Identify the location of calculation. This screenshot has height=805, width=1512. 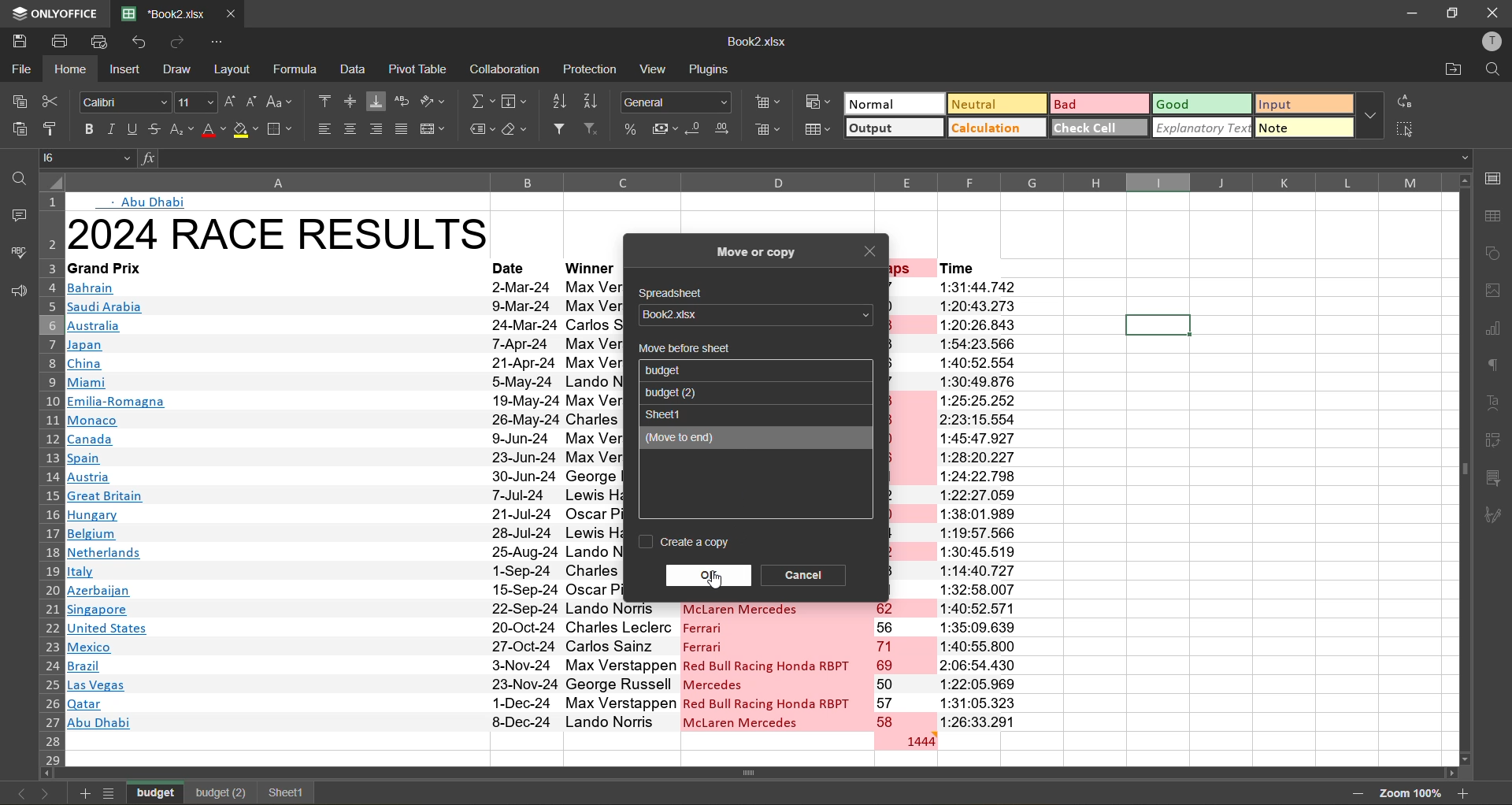
(998, 128).